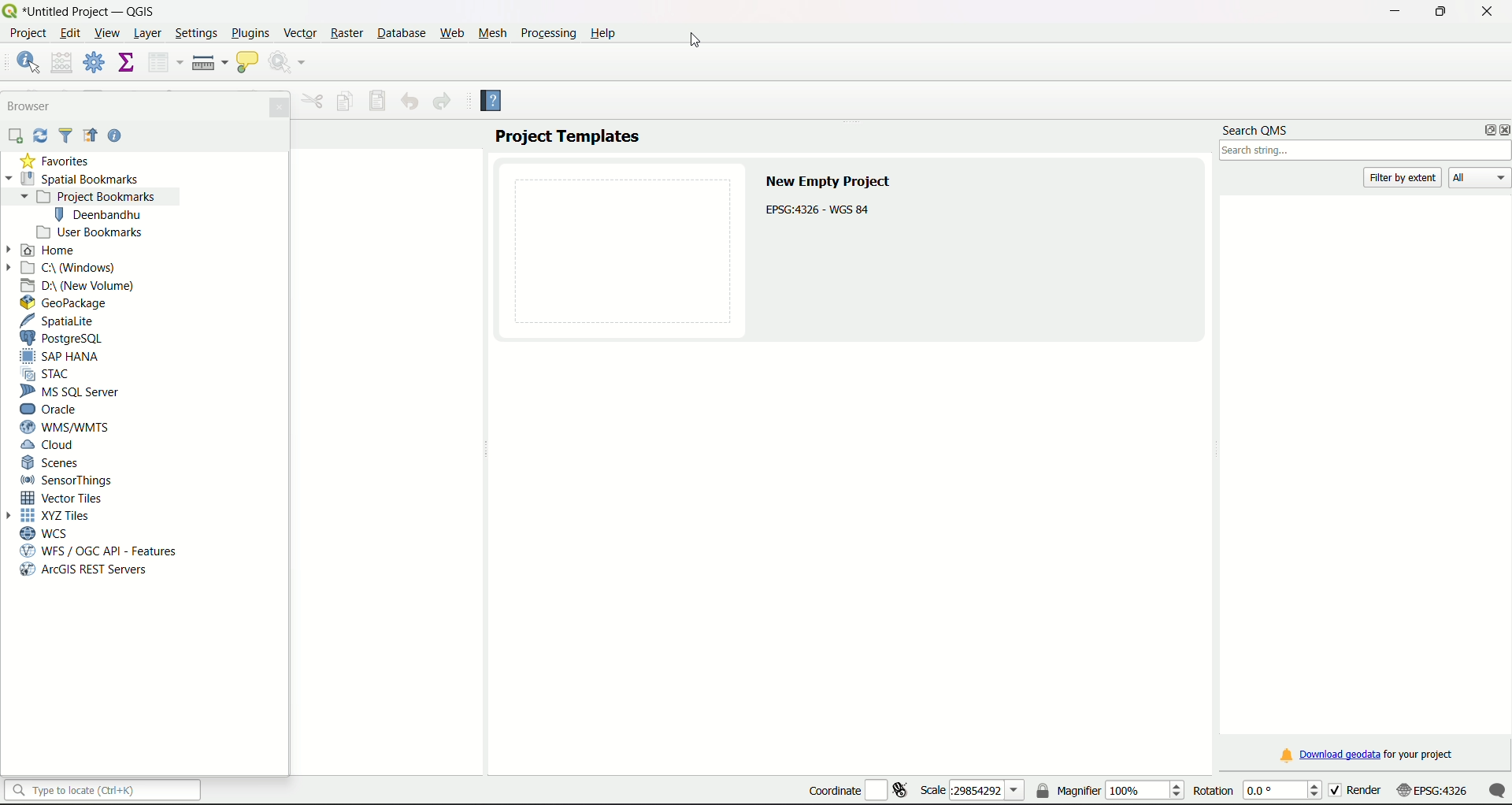 The width and height of the screenshot is (1512, 805). What do you see at coordinates (70, 426) in the screenshot?
I see `WMS/WTMS` at bounding box center [70, 426].